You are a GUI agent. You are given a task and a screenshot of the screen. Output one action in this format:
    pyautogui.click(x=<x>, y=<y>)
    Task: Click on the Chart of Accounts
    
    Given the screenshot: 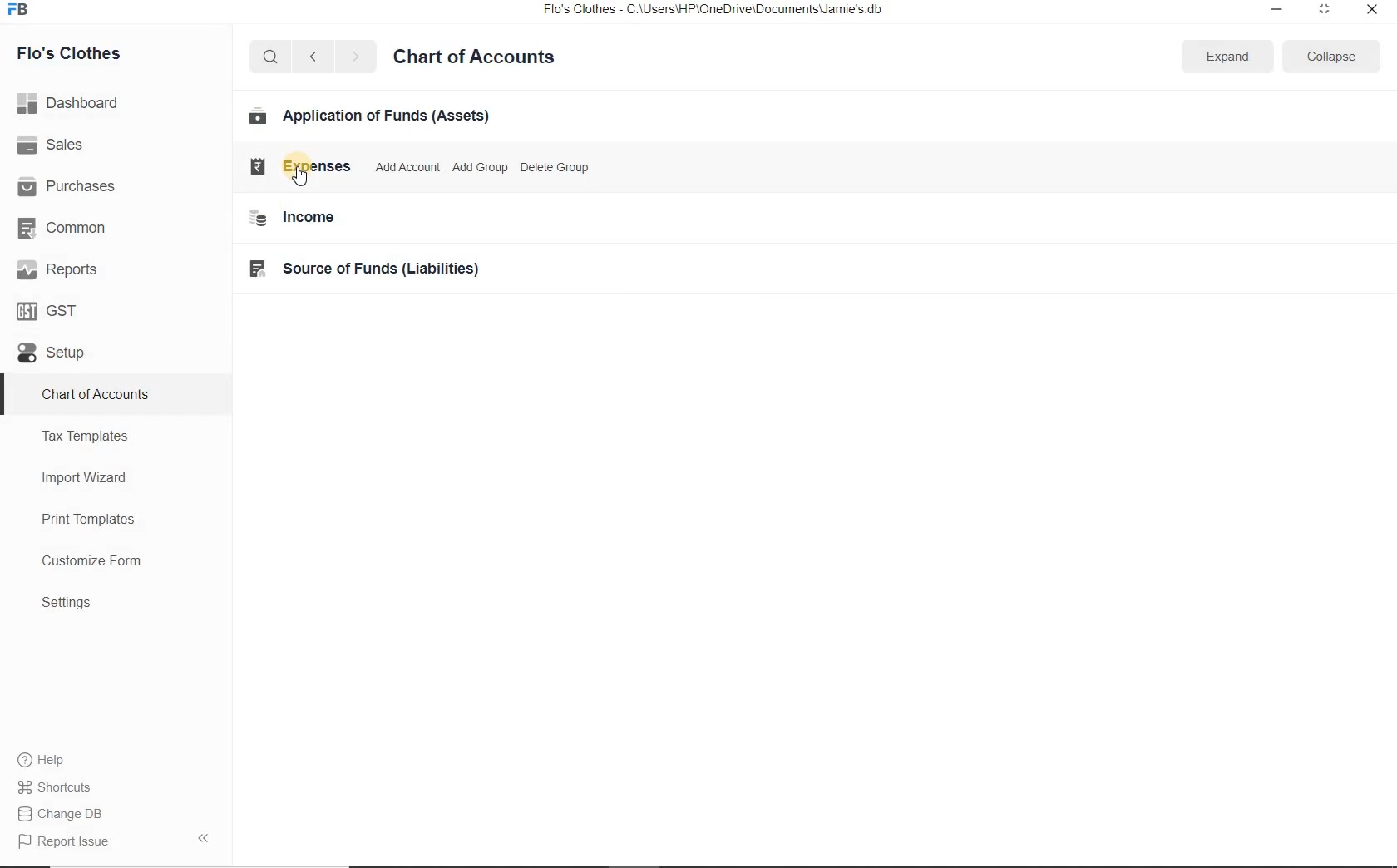 What is the action you would take?
    pyautogui.click(x=95, y=396)
    